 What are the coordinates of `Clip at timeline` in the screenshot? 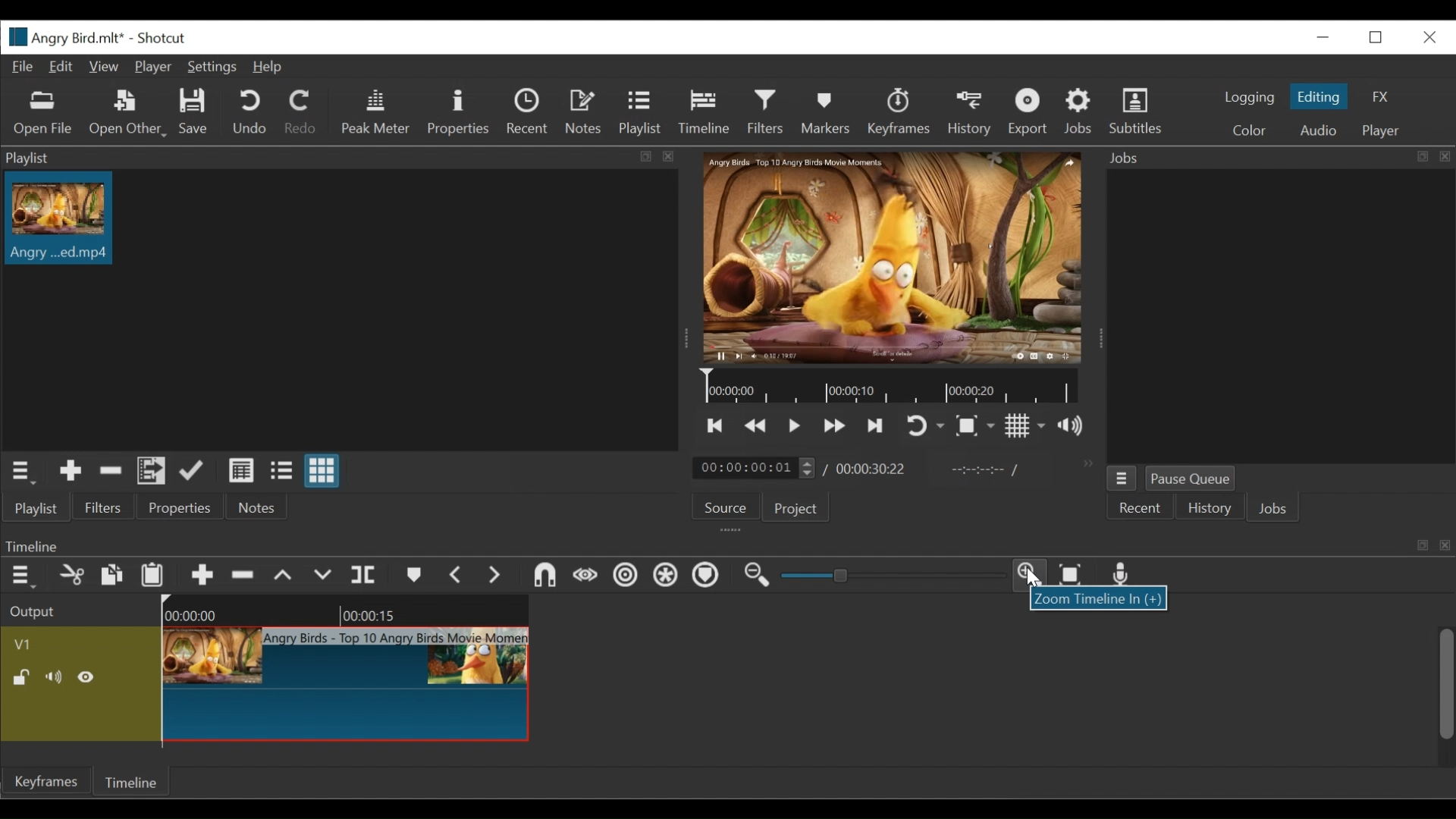 It's located at (348, 682).